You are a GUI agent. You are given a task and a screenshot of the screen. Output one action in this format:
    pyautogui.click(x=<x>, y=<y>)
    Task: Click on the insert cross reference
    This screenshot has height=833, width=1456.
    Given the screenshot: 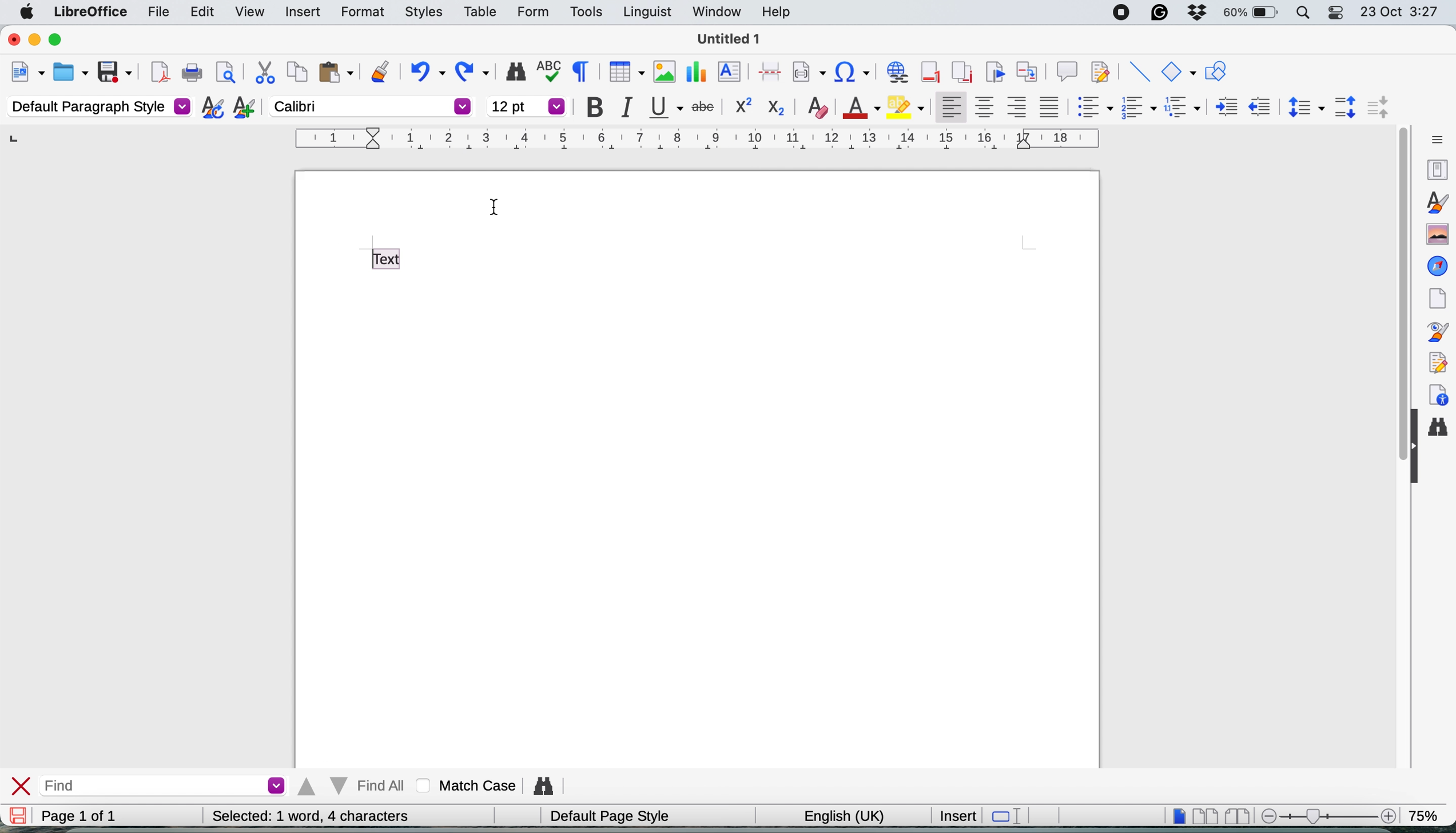 What is the action you would take?
    pyautogui.click(x=1029, y=73)
    